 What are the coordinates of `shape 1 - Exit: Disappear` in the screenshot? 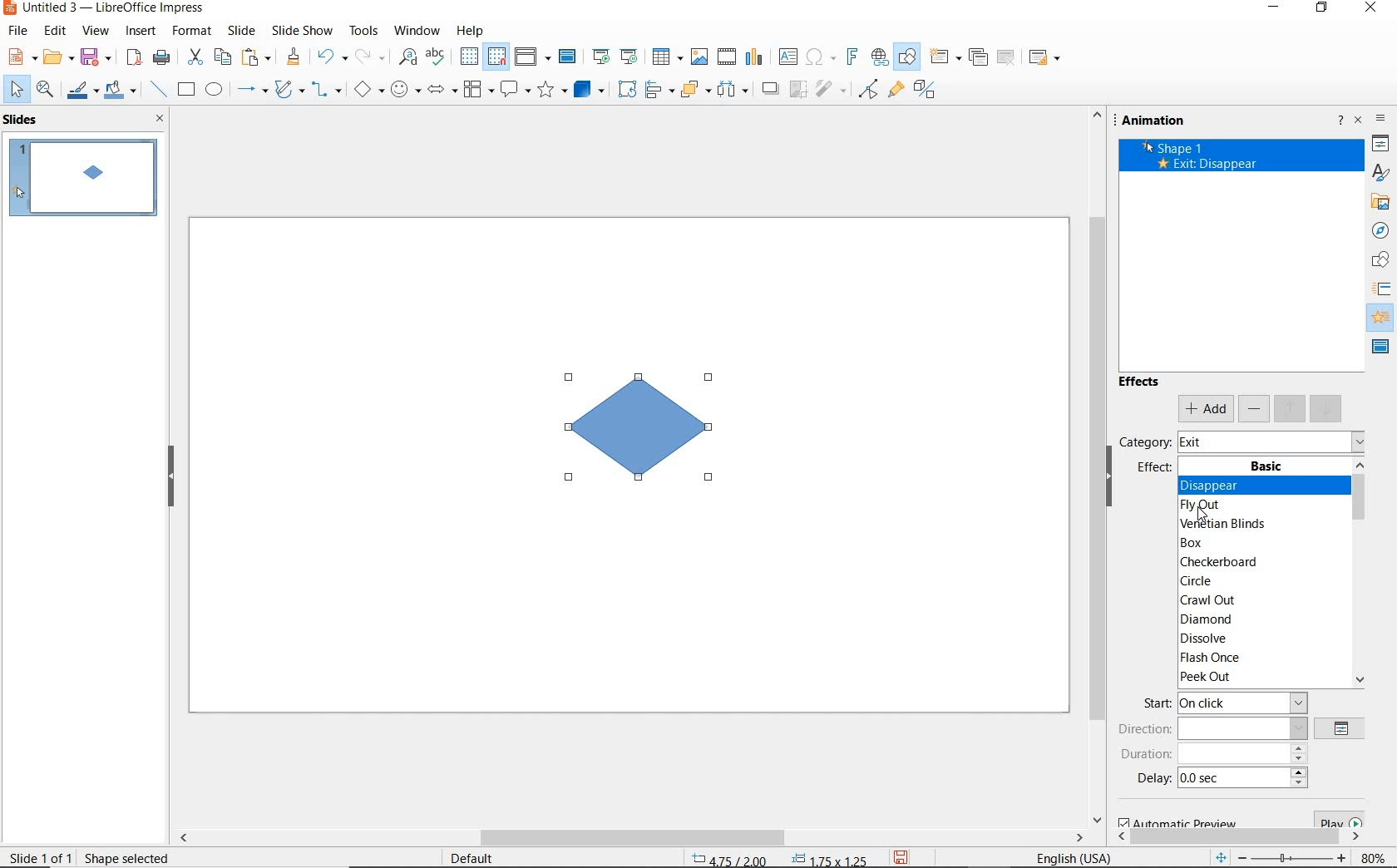 It's located at (1197, 159).